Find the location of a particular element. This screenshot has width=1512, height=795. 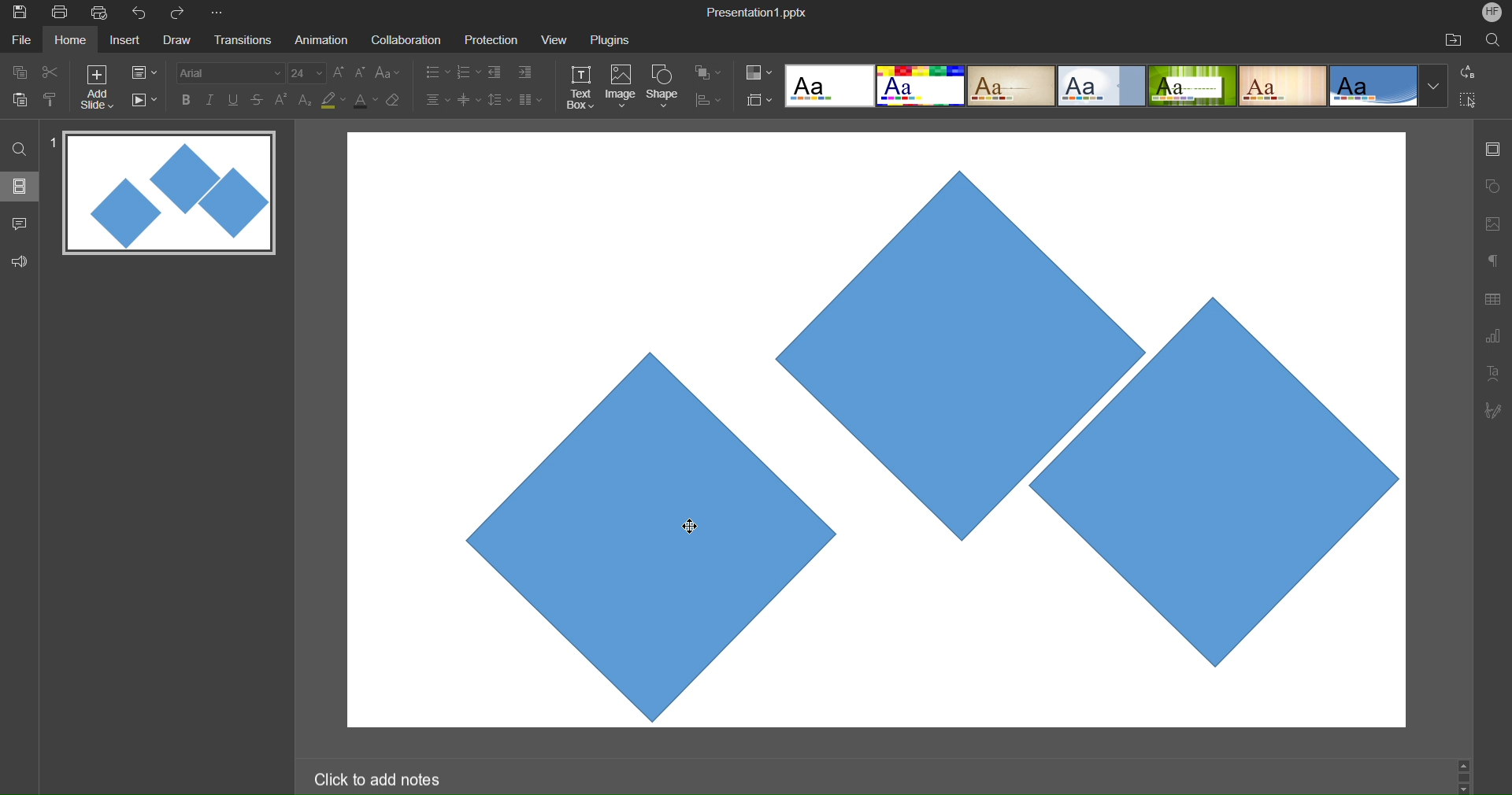

Alignment is located at coordinates (436, 99).